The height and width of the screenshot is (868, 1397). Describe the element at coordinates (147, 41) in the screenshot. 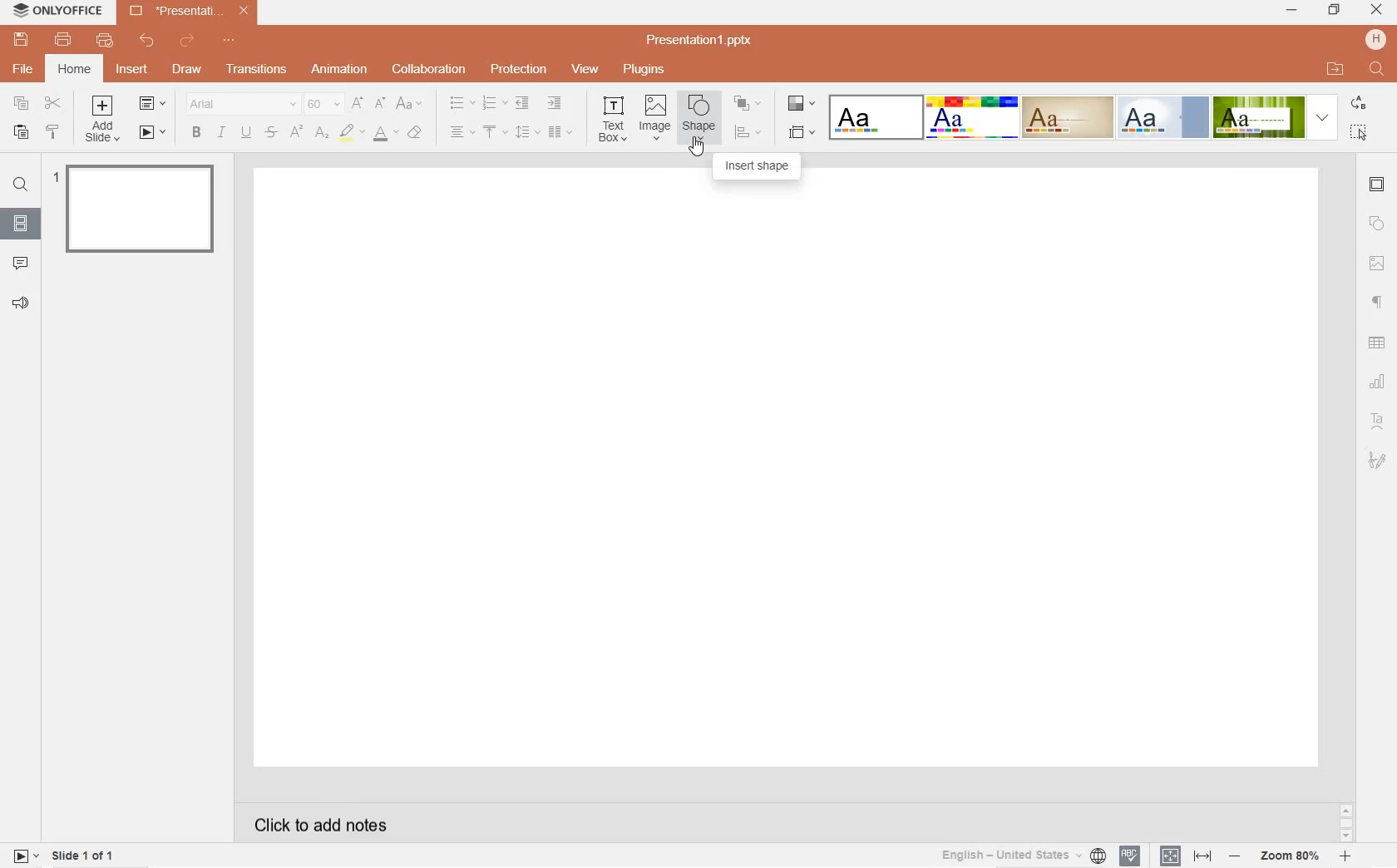

I see `undo` at that location.